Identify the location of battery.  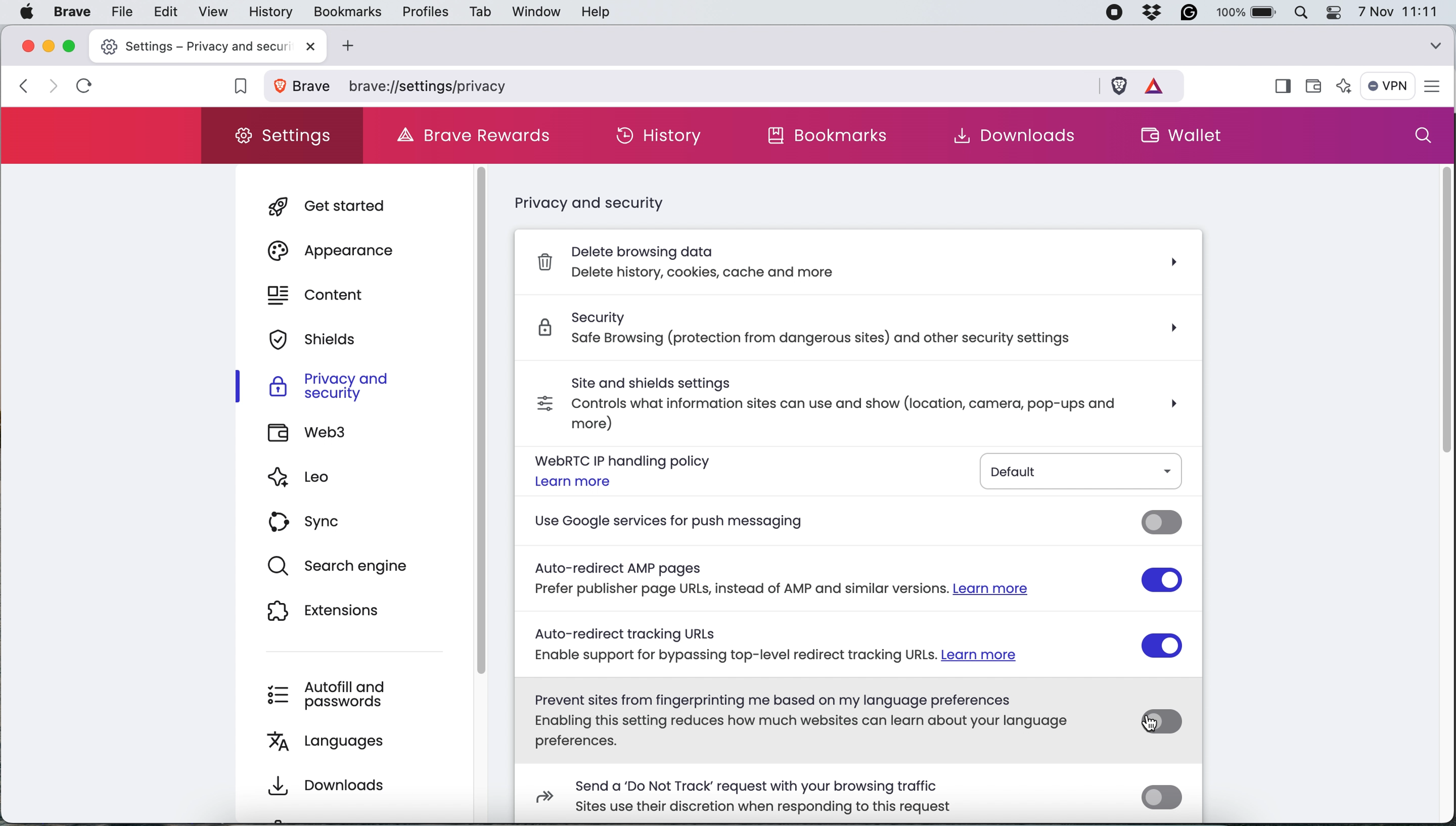
(1249, 12).